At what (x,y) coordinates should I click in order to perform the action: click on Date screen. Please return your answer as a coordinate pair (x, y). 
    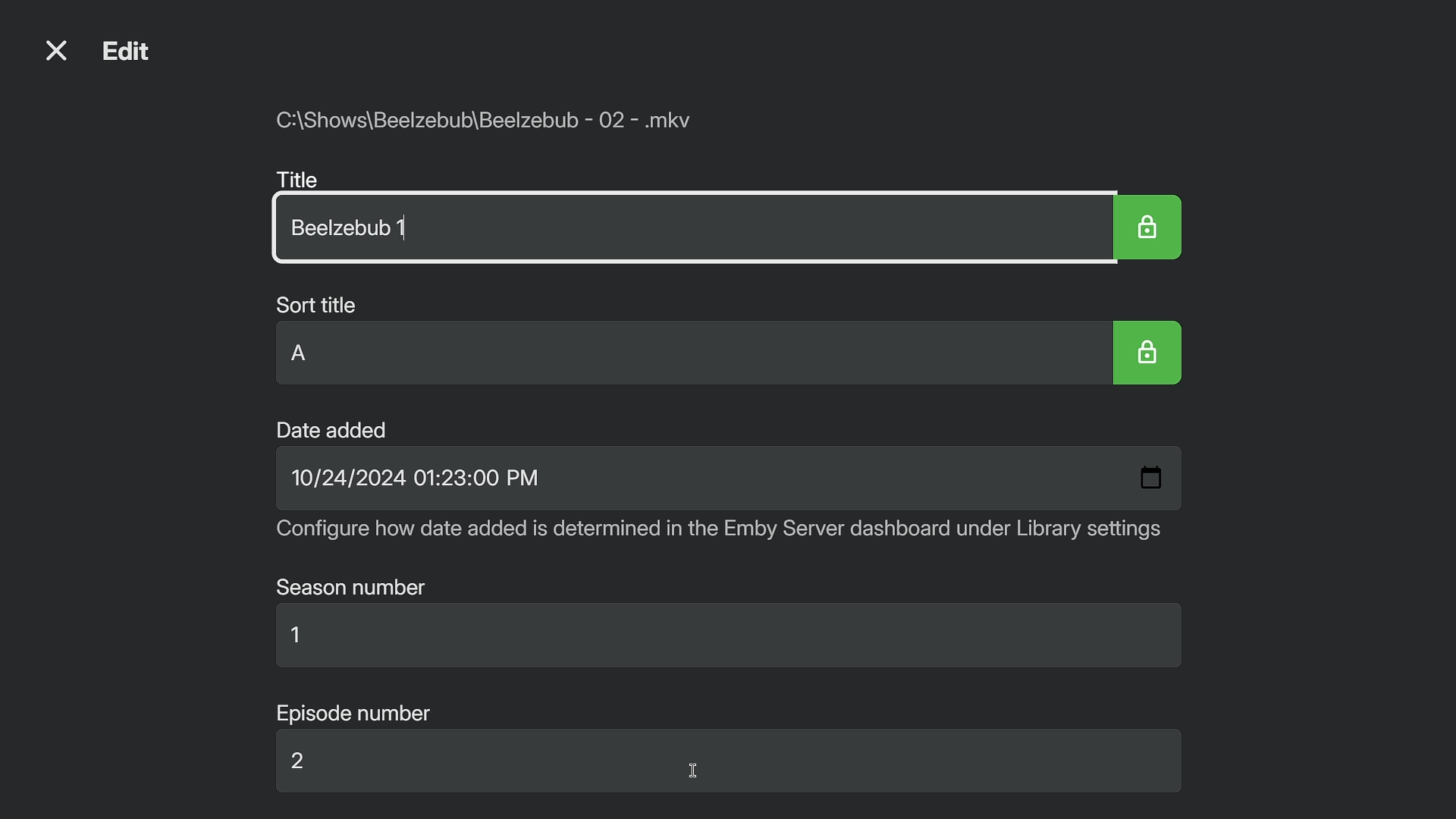
    Looking at the image, I should click on (1148, 475).